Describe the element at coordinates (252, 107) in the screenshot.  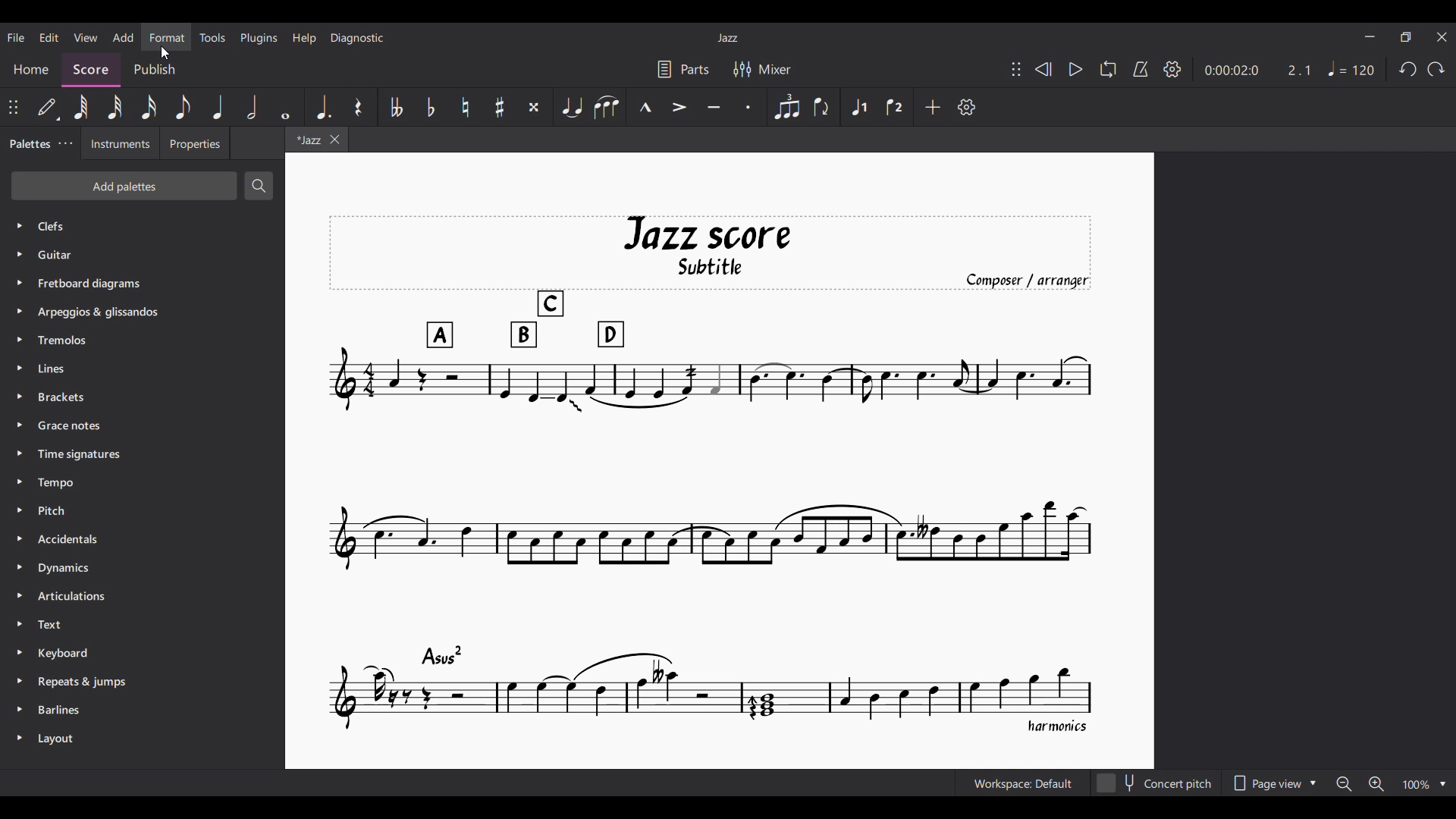
I see `Half note` at that location.